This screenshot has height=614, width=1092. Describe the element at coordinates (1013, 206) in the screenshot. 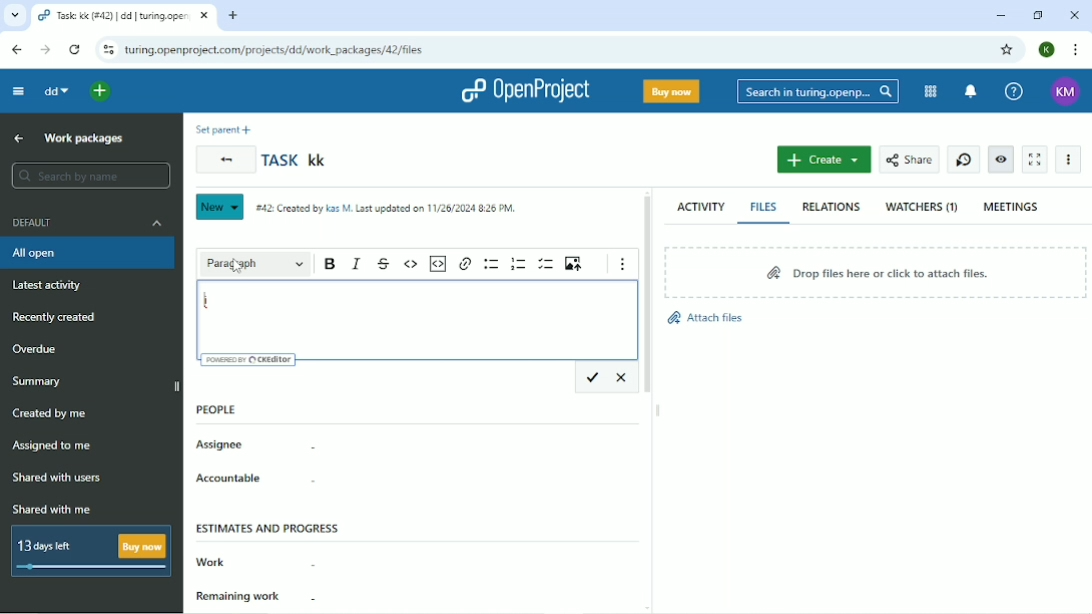

I see `Meetings` at that location.